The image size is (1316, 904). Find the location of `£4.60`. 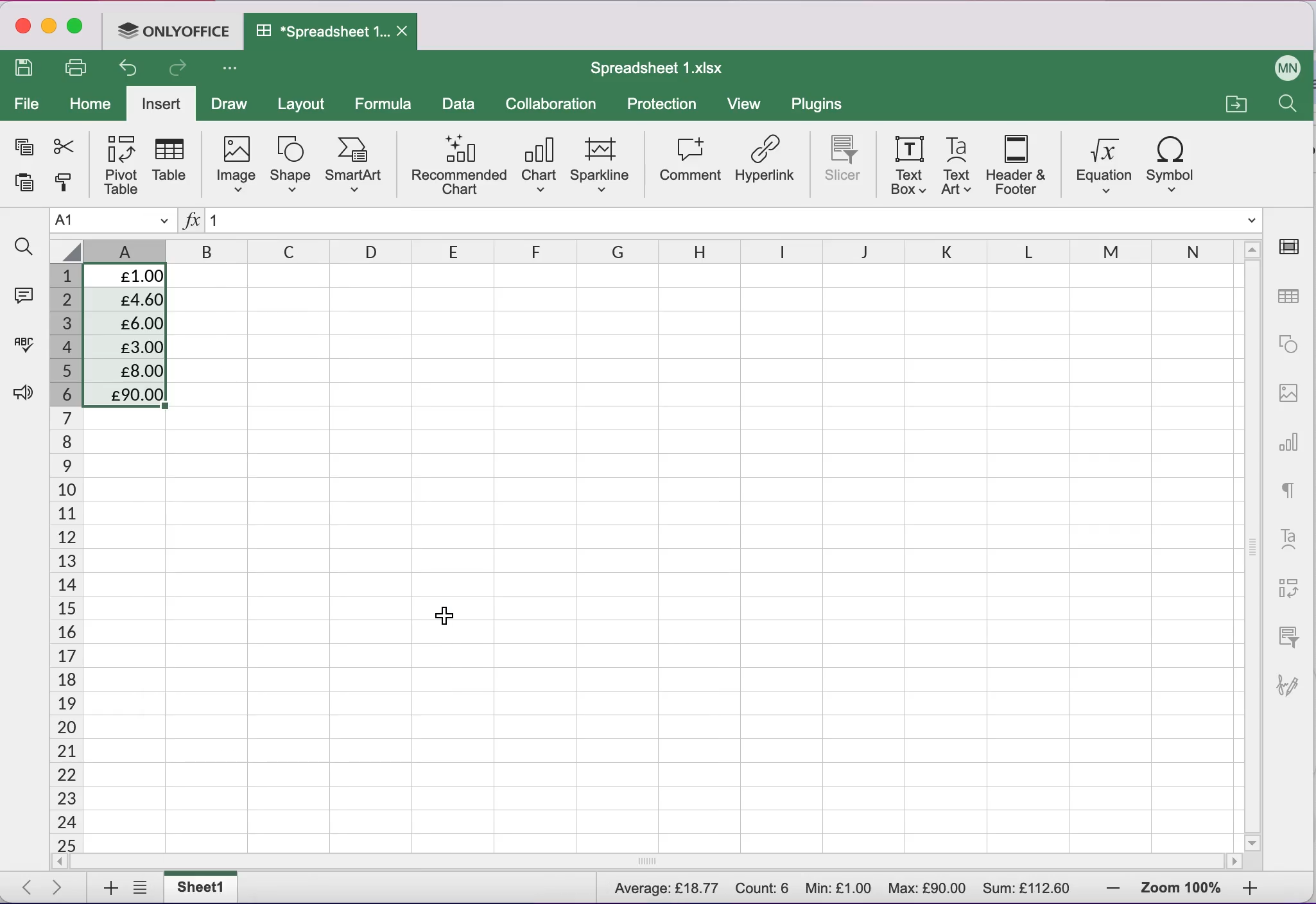

£4.60 is located at coordinates (134, 302).